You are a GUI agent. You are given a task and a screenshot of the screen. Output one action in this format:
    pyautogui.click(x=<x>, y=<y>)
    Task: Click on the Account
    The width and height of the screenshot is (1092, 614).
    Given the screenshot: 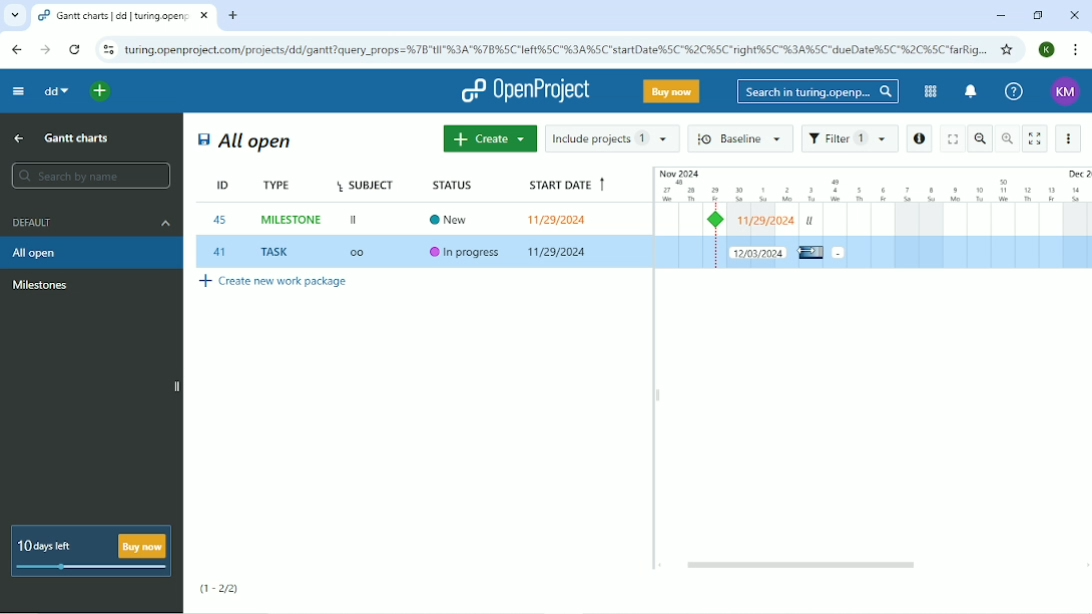 What is the action you would take?
    pyautogui.click(x=1067, y=93)
    